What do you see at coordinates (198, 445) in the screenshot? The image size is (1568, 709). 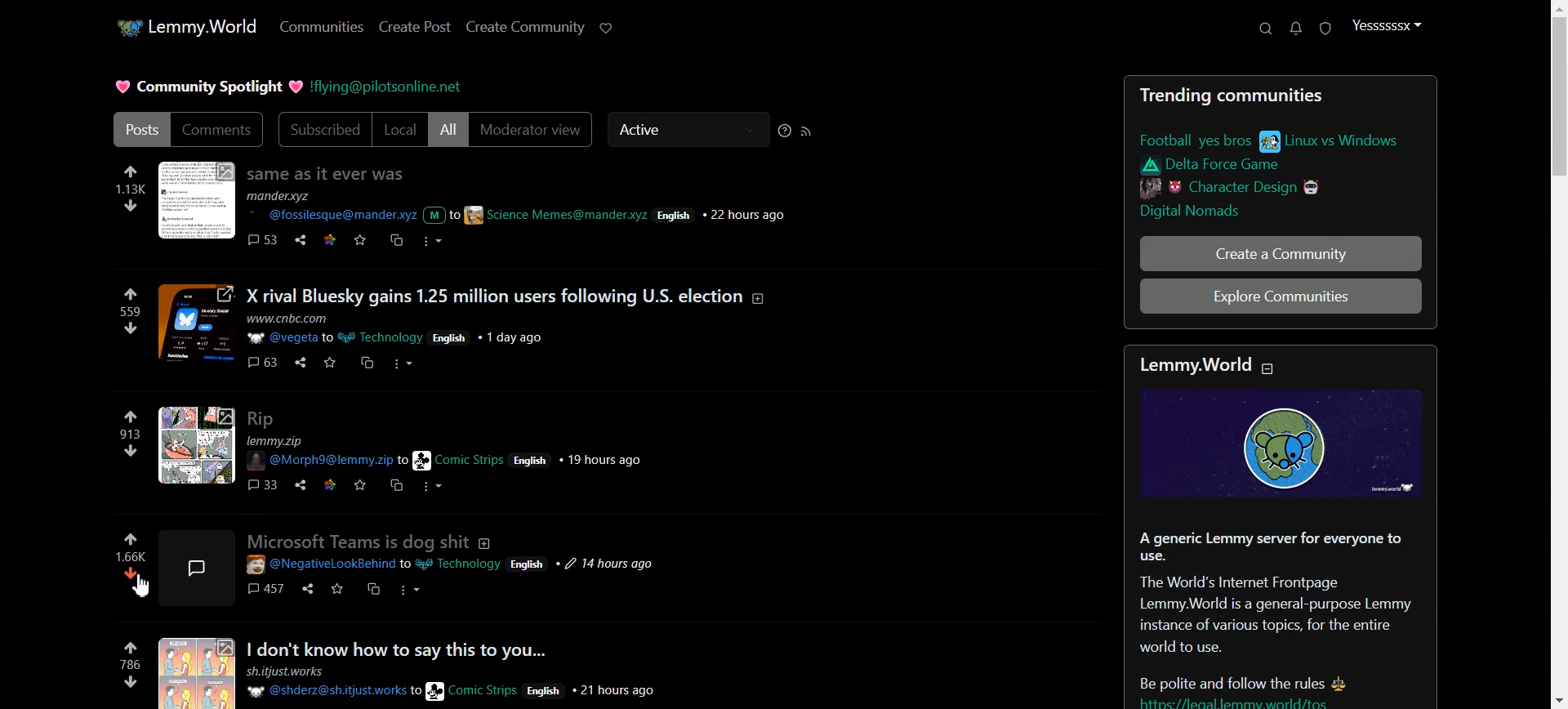 I see `image` at bounding box center [198, 445].